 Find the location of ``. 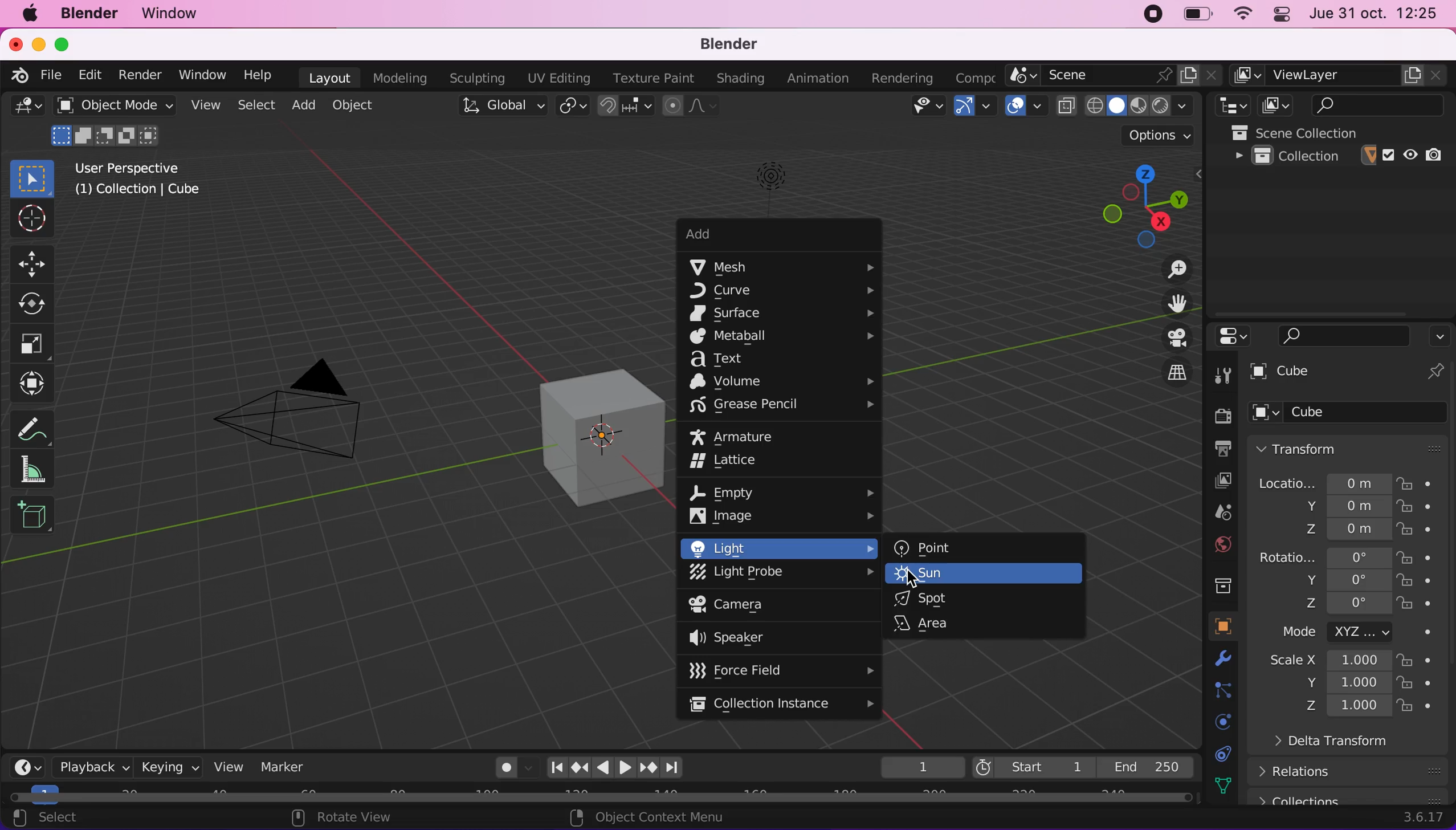

 is located at coordinates (1225, 373).